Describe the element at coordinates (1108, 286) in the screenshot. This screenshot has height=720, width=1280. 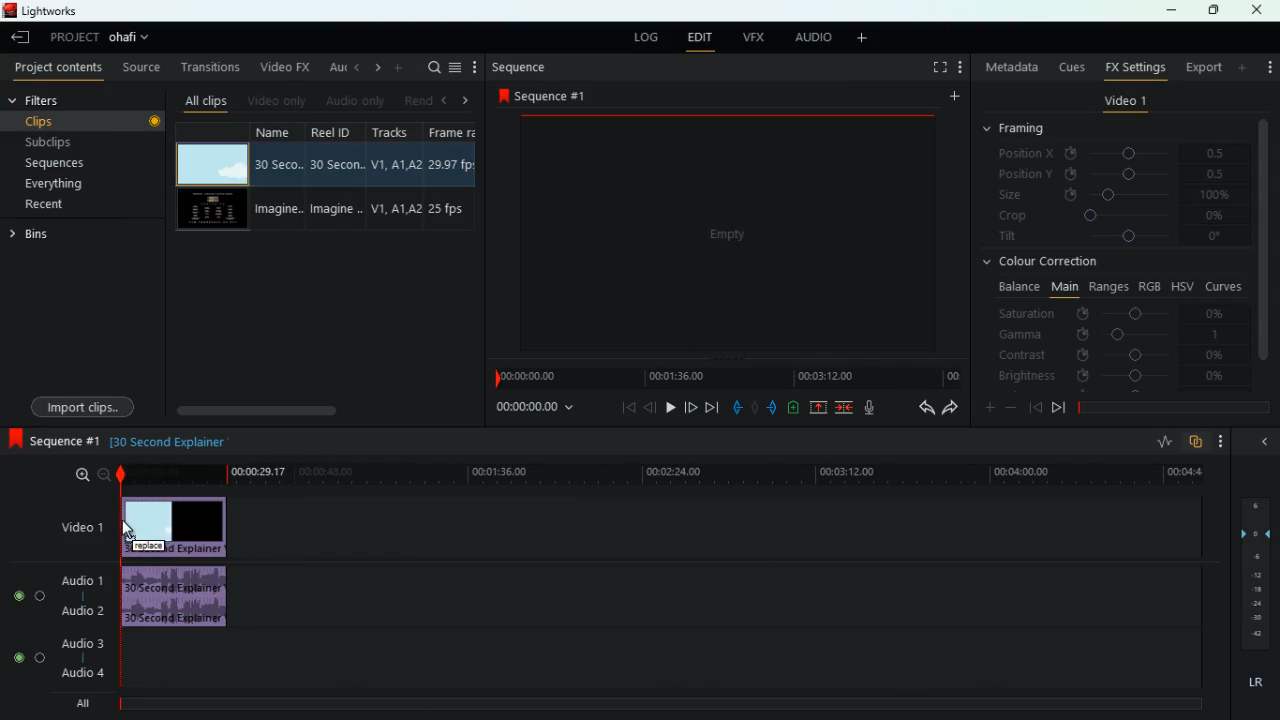
I see `ranges` at that location.